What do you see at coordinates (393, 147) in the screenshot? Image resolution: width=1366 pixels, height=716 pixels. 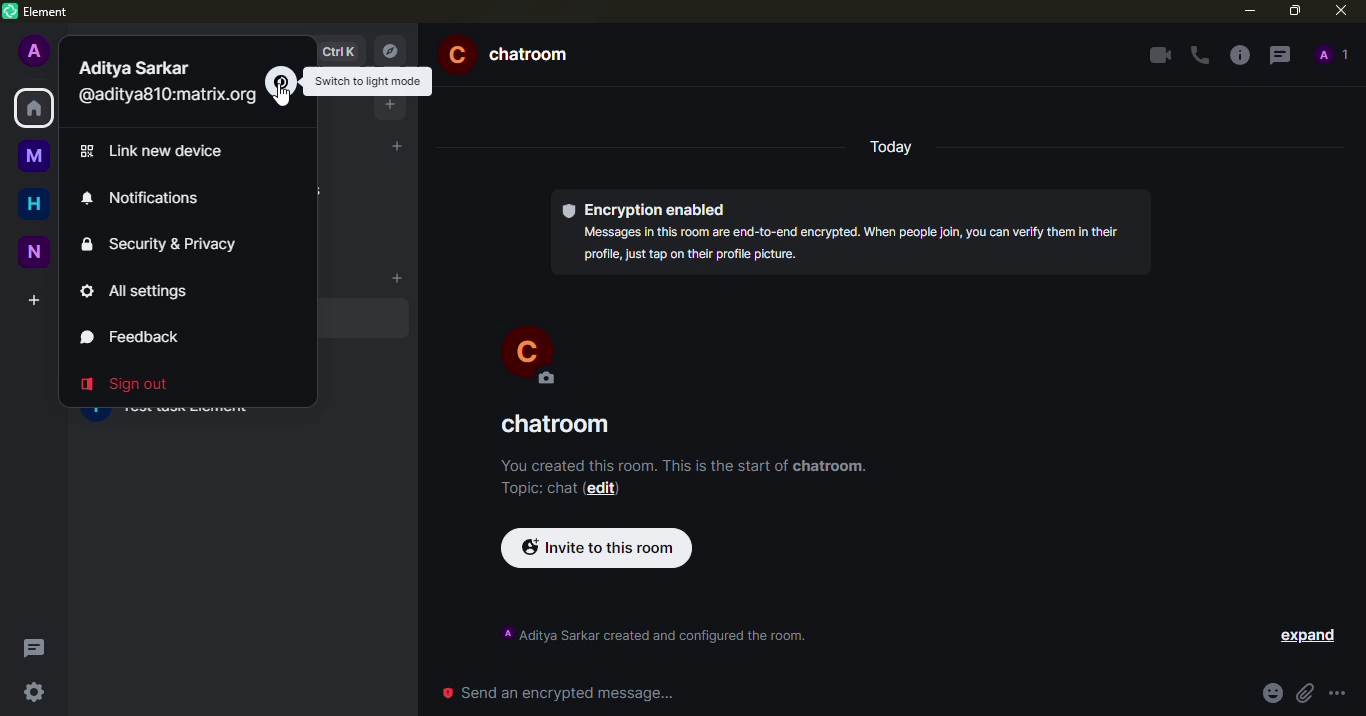 I see `start chat` at bounding box center [393, 147].